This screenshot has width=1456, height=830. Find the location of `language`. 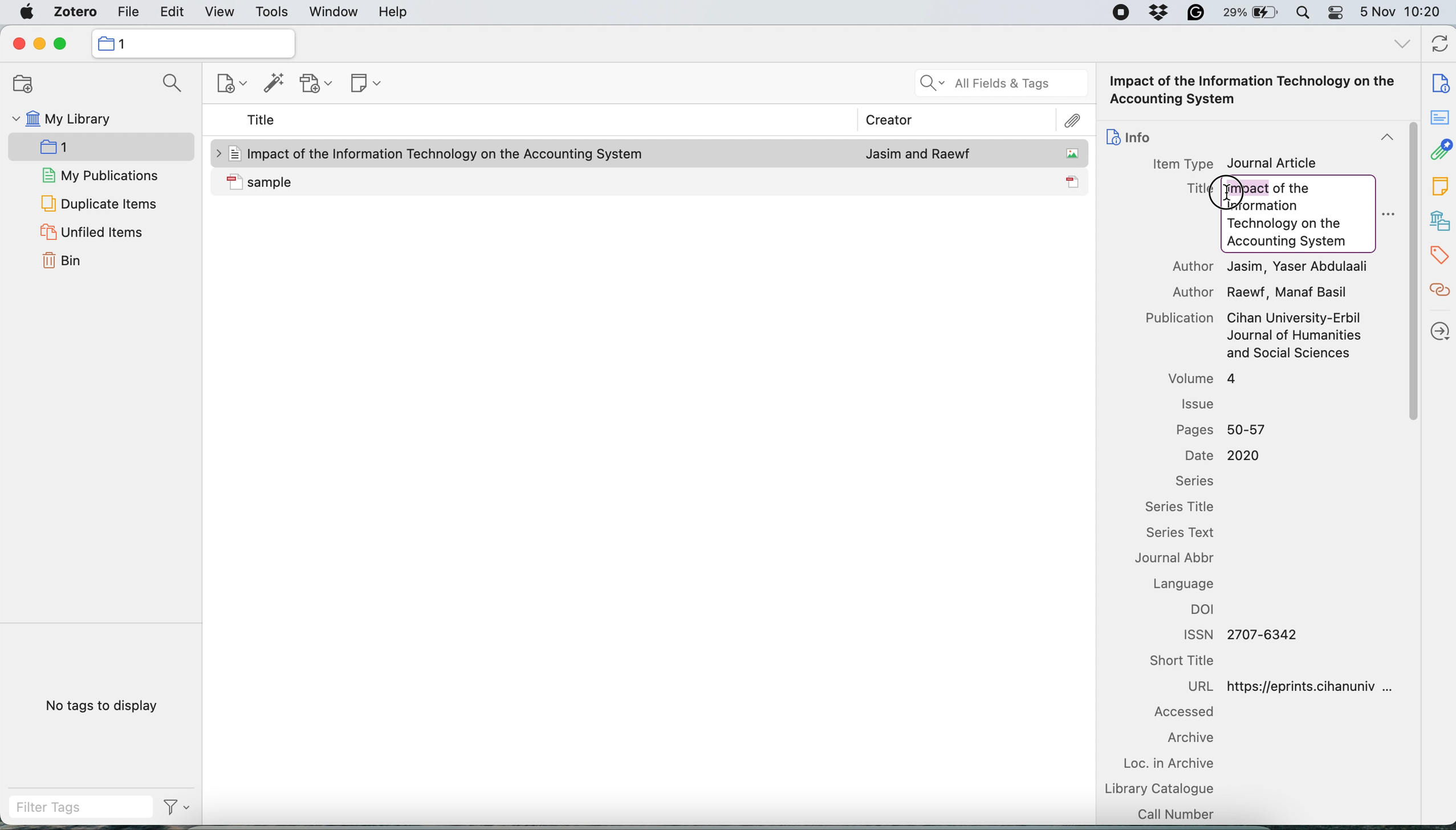

language is located at coordinates (1183, 584).